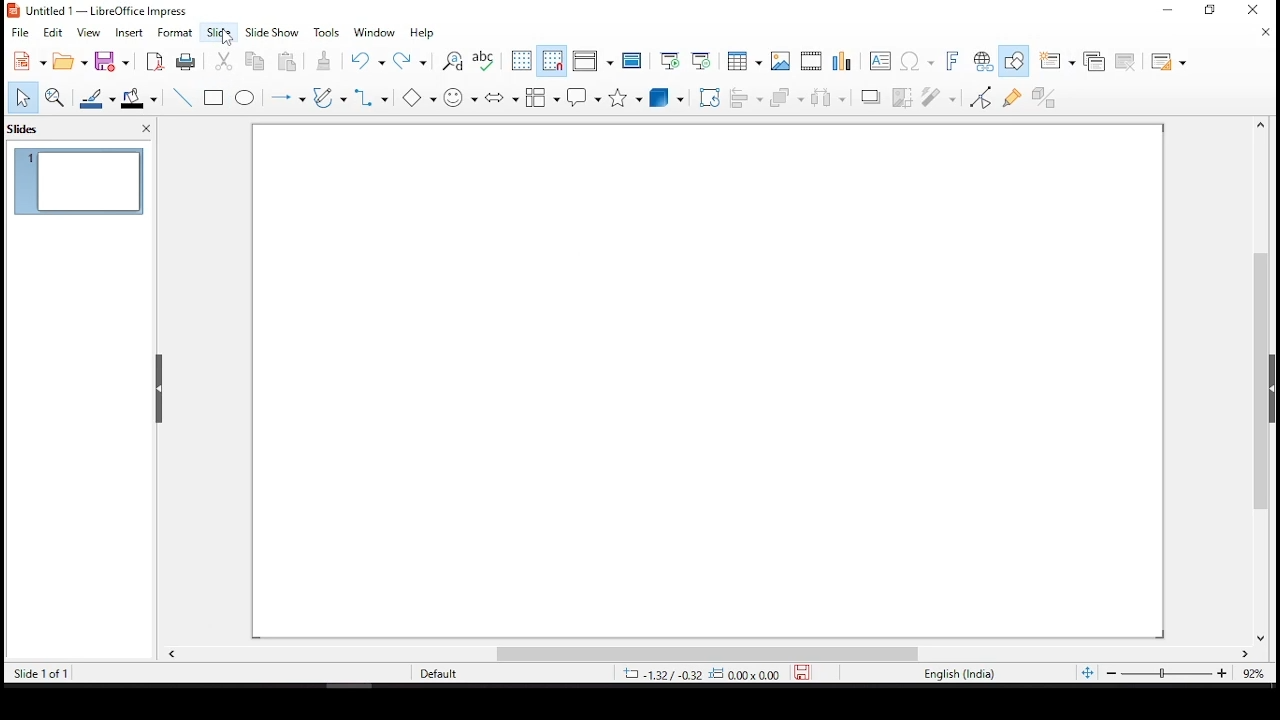  I want to click on zoom level, so click(1247, 671).